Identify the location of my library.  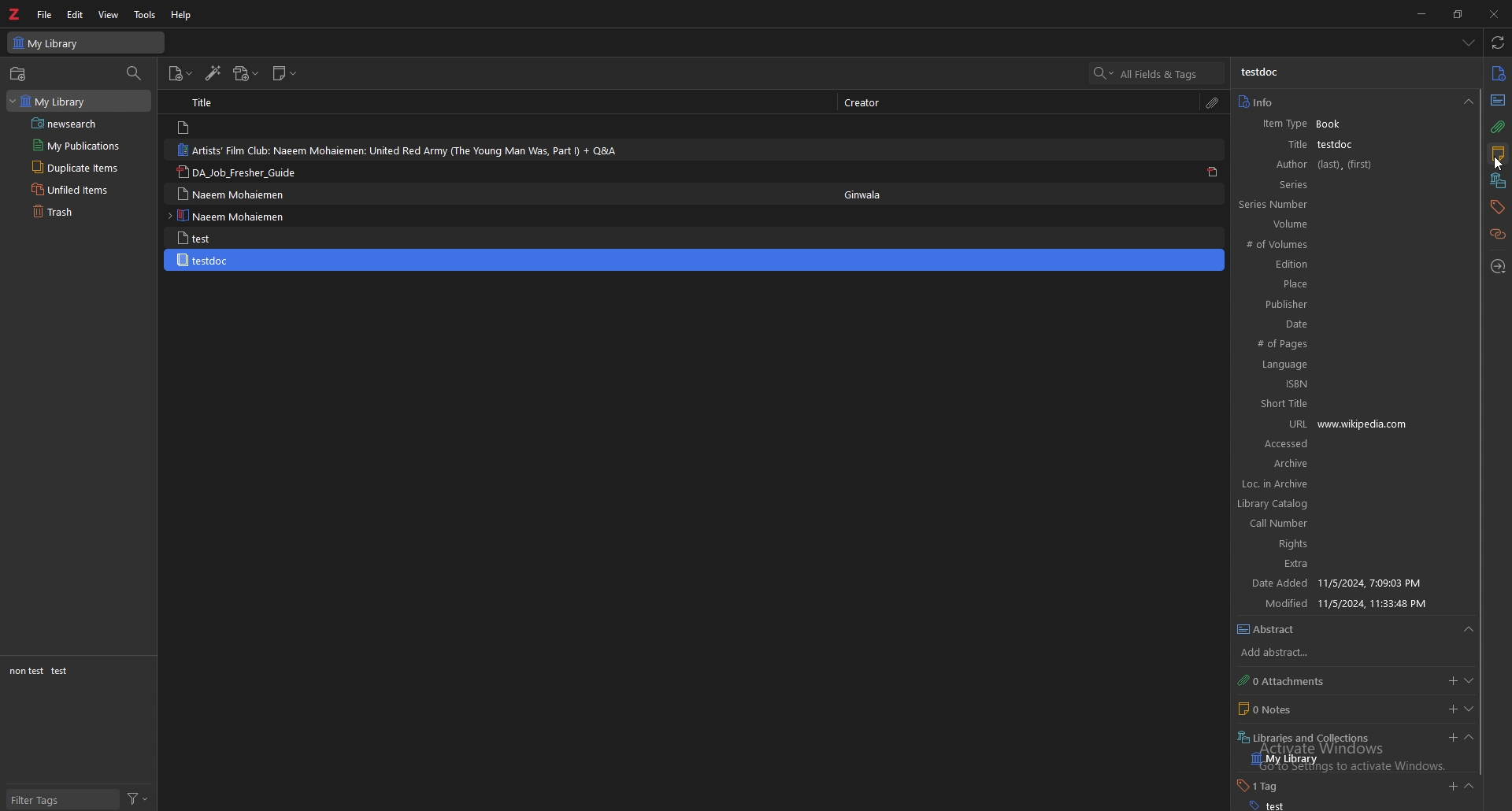
(78, 102).